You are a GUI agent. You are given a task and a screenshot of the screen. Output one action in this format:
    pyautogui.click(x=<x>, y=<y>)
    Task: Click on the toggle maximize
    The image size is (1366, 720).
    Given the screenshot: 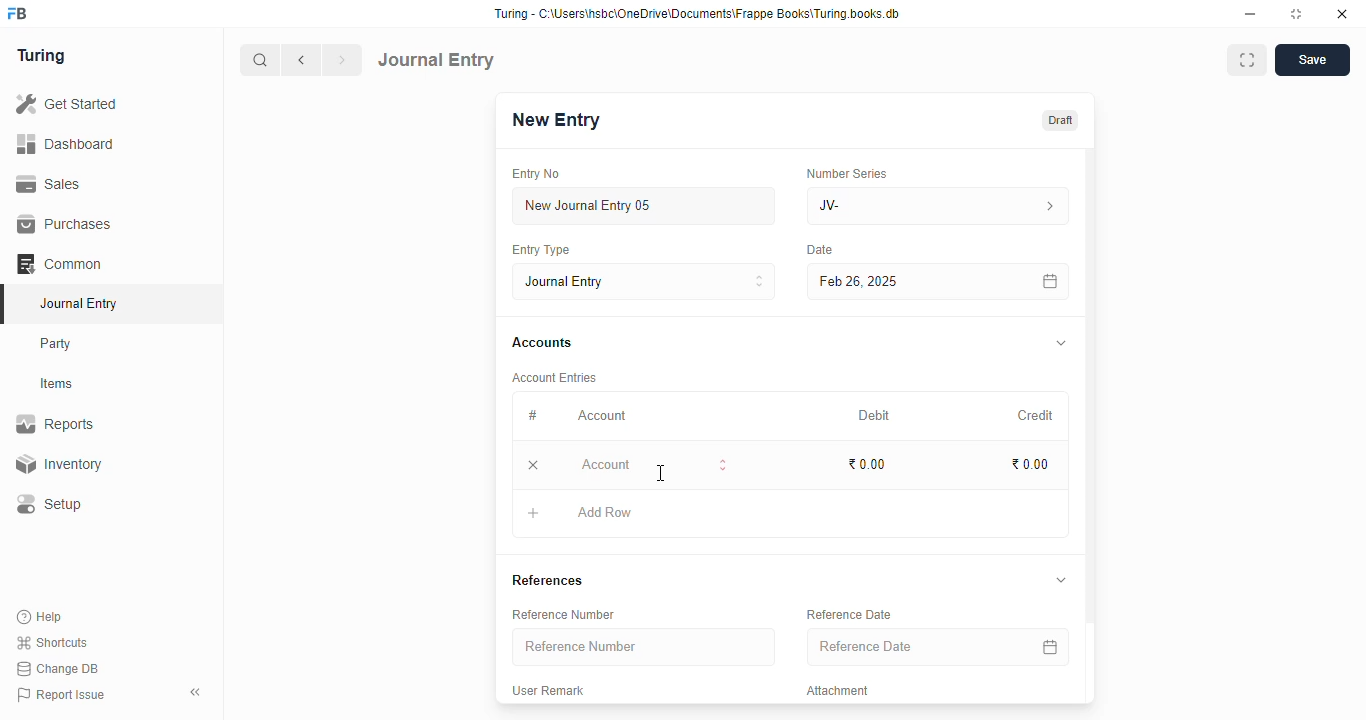 What is the action you would take?
    pyautogui.click(x=1296, y=14)
    